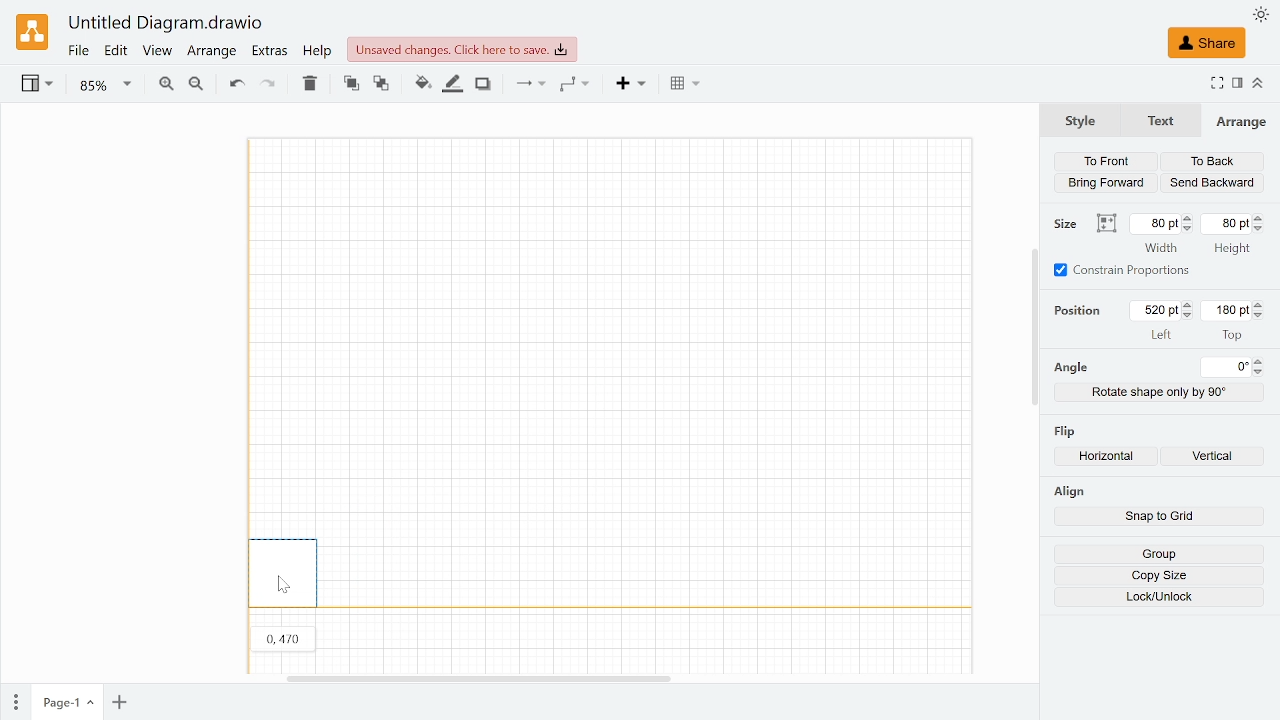 The image size is (1280, 720). I want to click on To font, so click(351, 84).